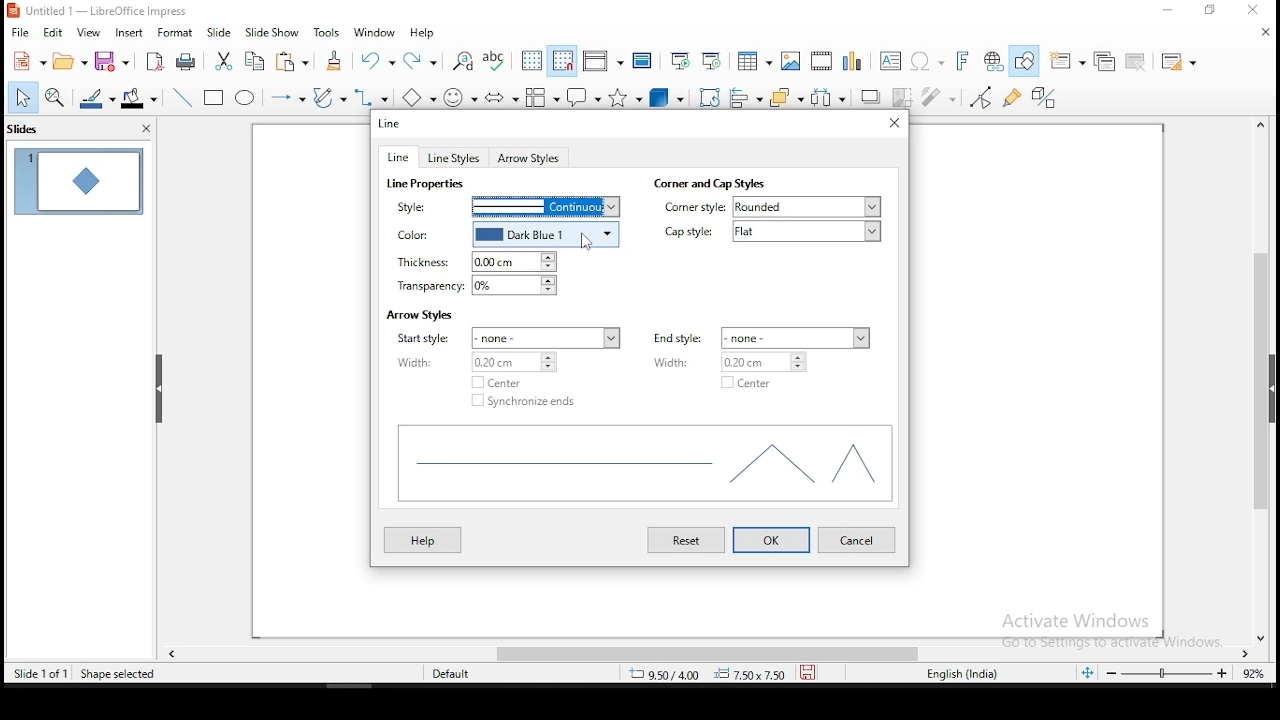 The image size is (1280, 720). Describe the element at coordinates (775, 363) in the screenshot. I see `0.02` at that location.